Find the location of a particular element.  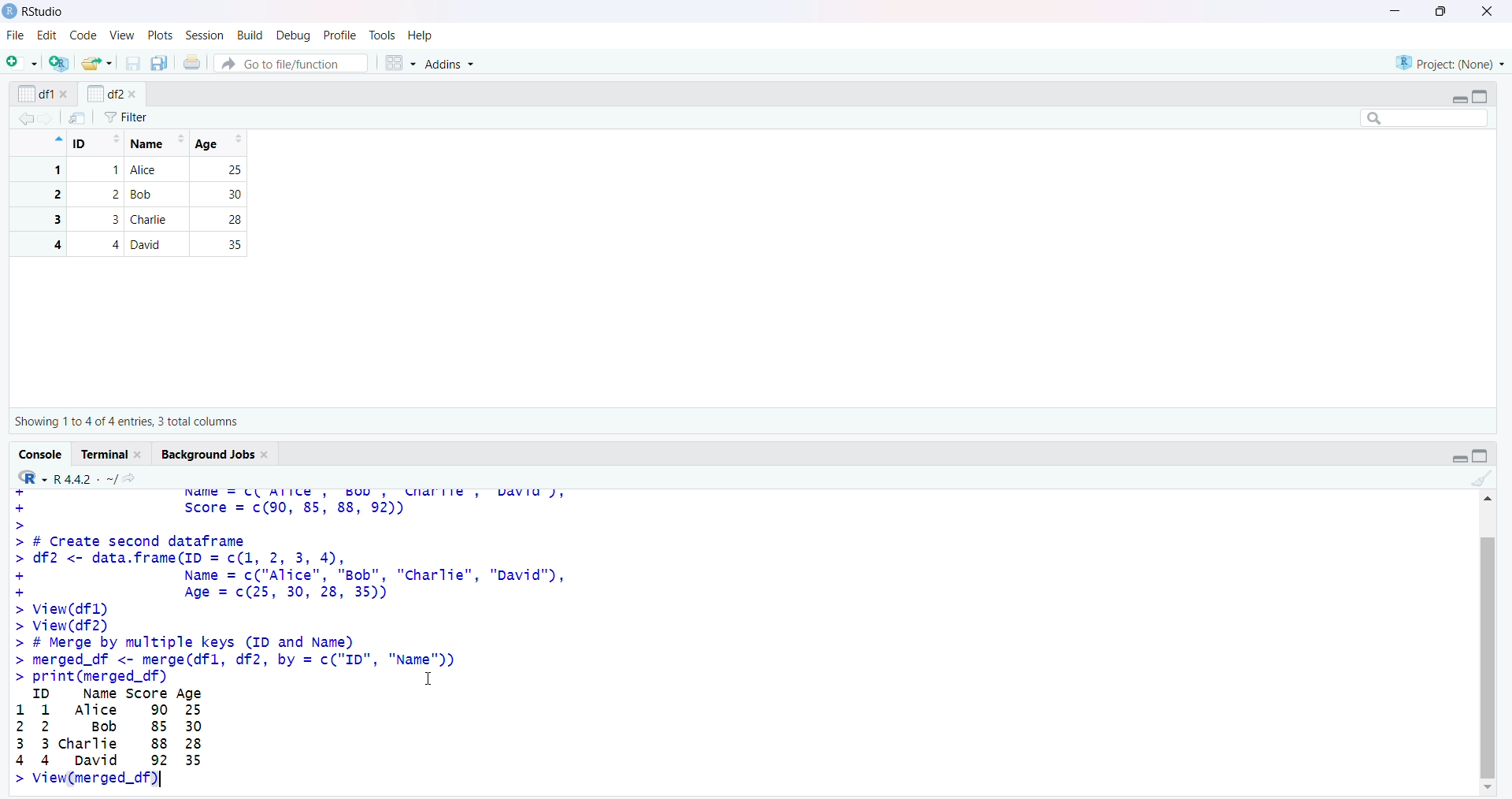

minimise is located at coordinates (1395, 10).